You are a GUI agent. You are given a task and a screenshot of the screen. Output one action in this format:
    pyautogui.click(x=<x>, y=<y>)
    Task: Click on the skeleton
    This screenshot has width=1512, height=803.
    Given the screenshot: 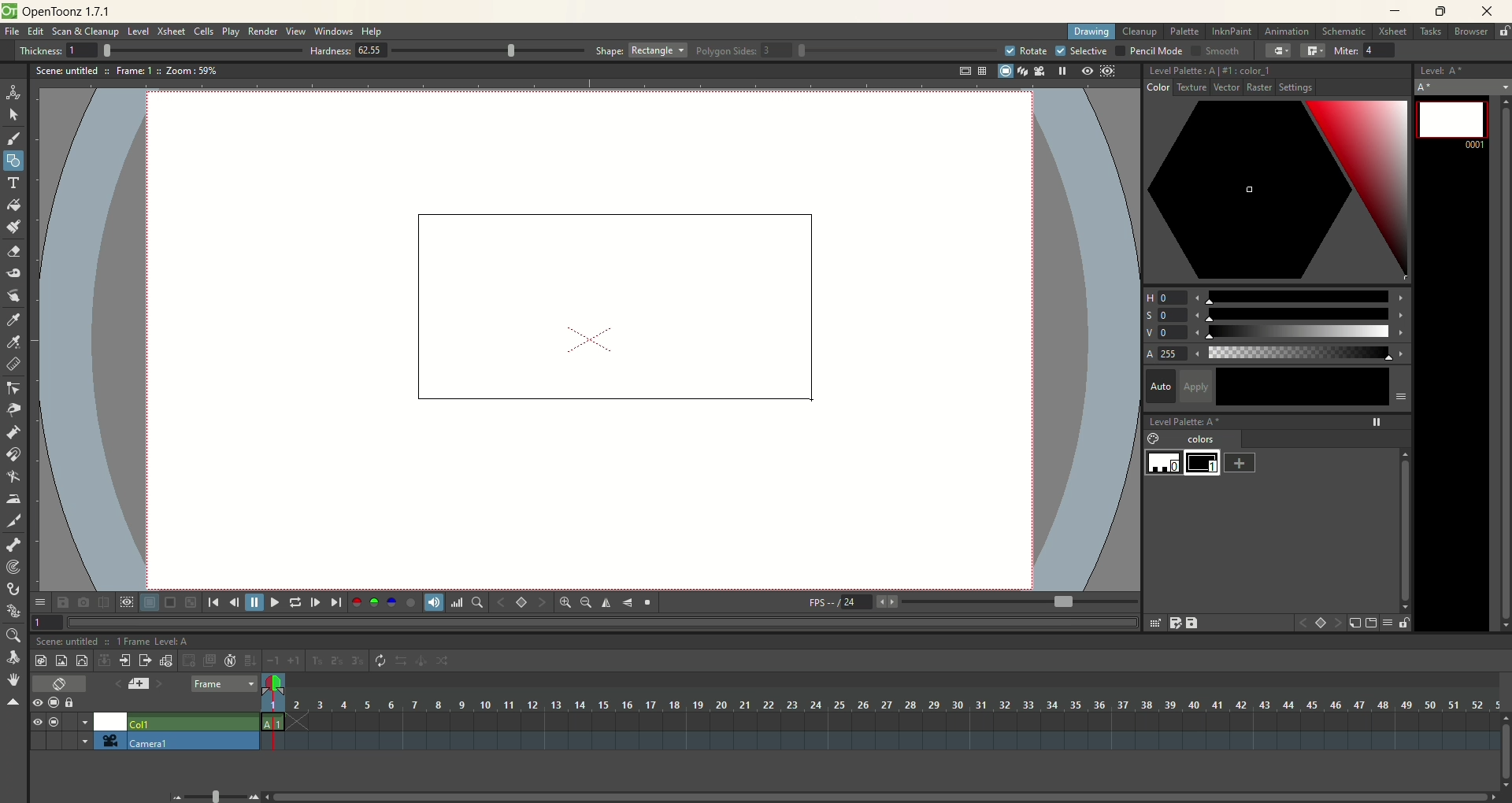 What is the action you would take?
    pyautogui.click(x=12, y=543)
    